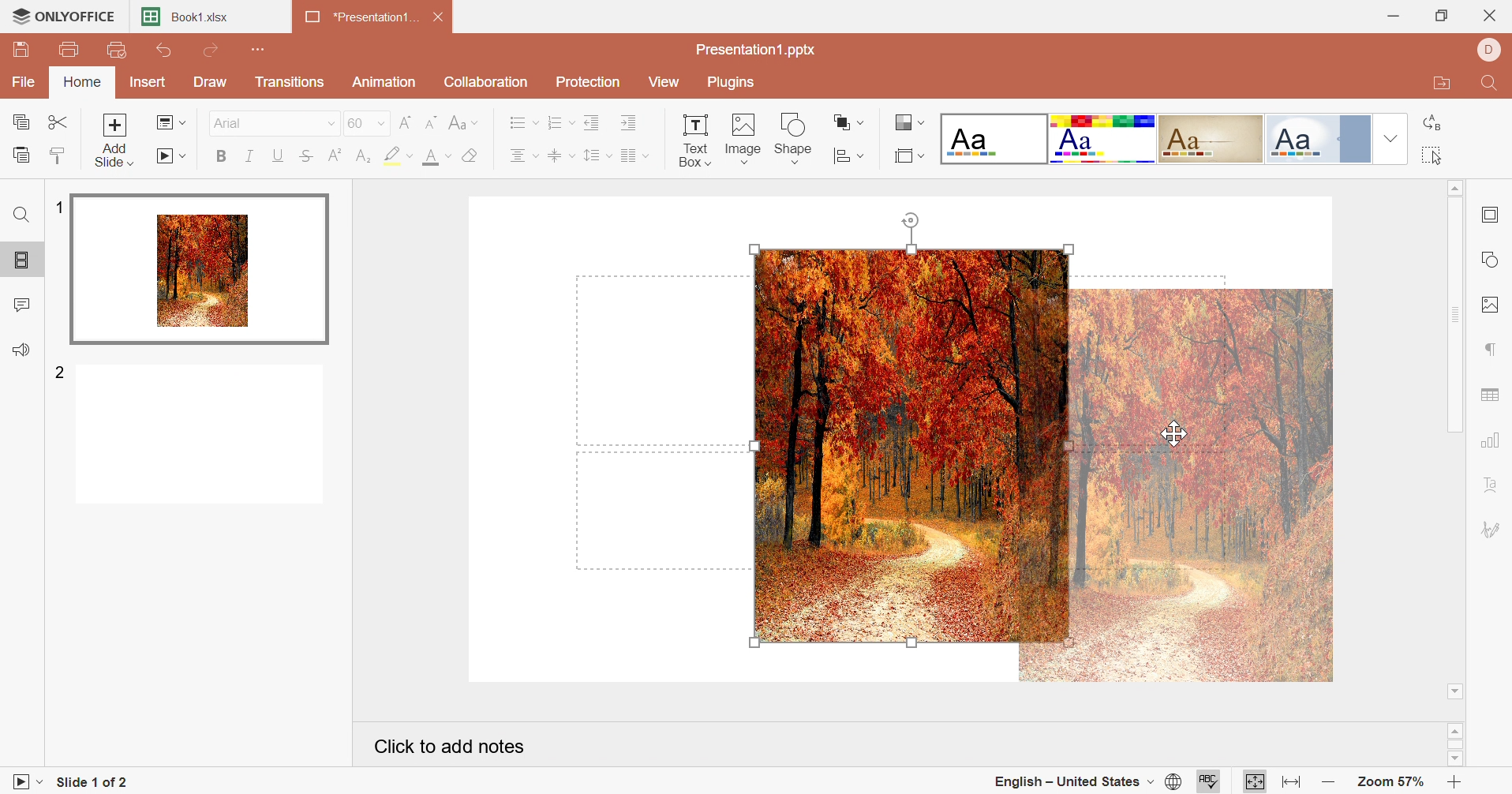 Image resolution: width=1512 pixels, height=794 pixels. Describe the element at coordinates (118, 51) in the screenshot. I see `Quick print` at that location.